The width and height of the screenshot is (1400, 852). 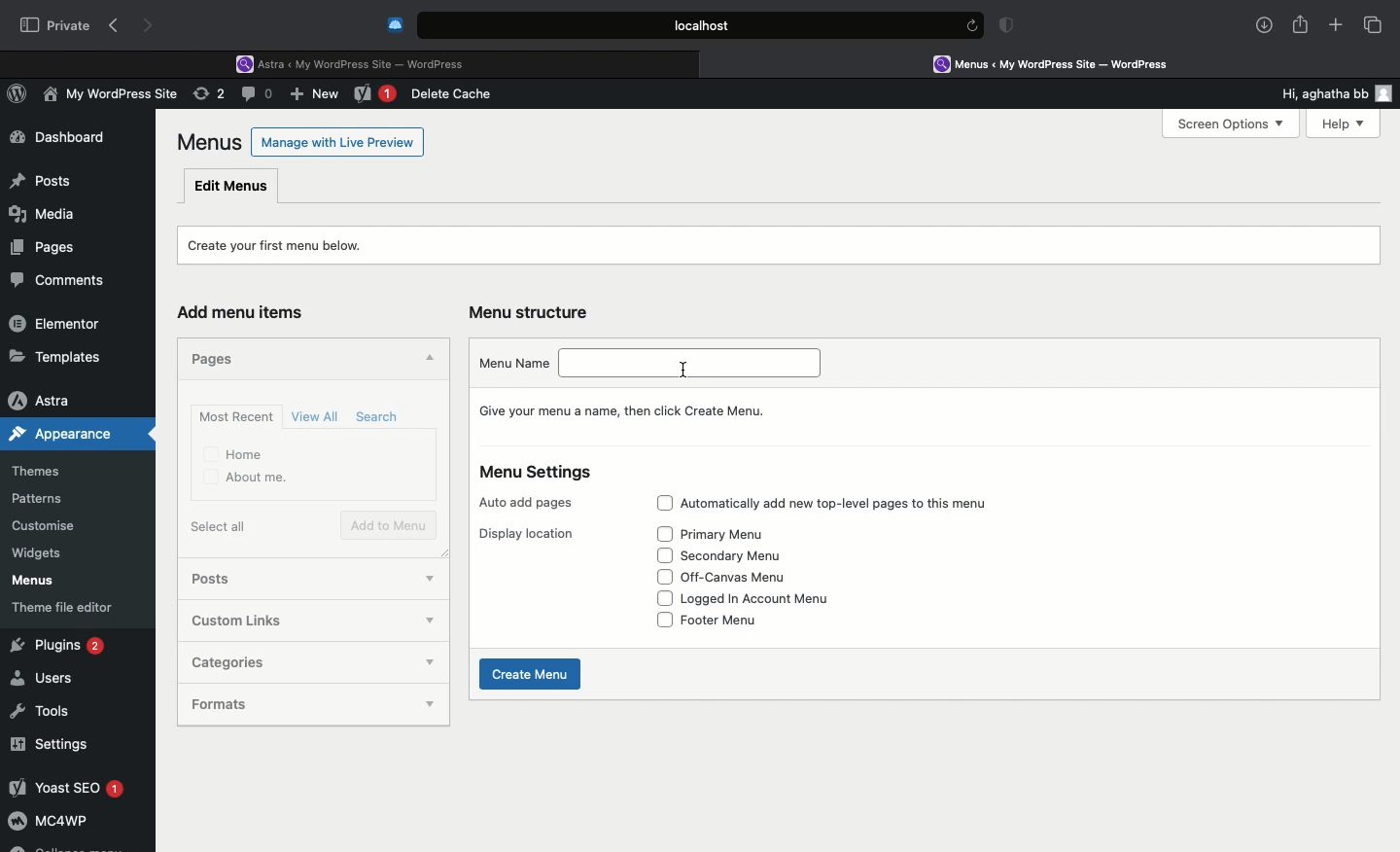 I want to click on Pages, so click(x=39, y=246).